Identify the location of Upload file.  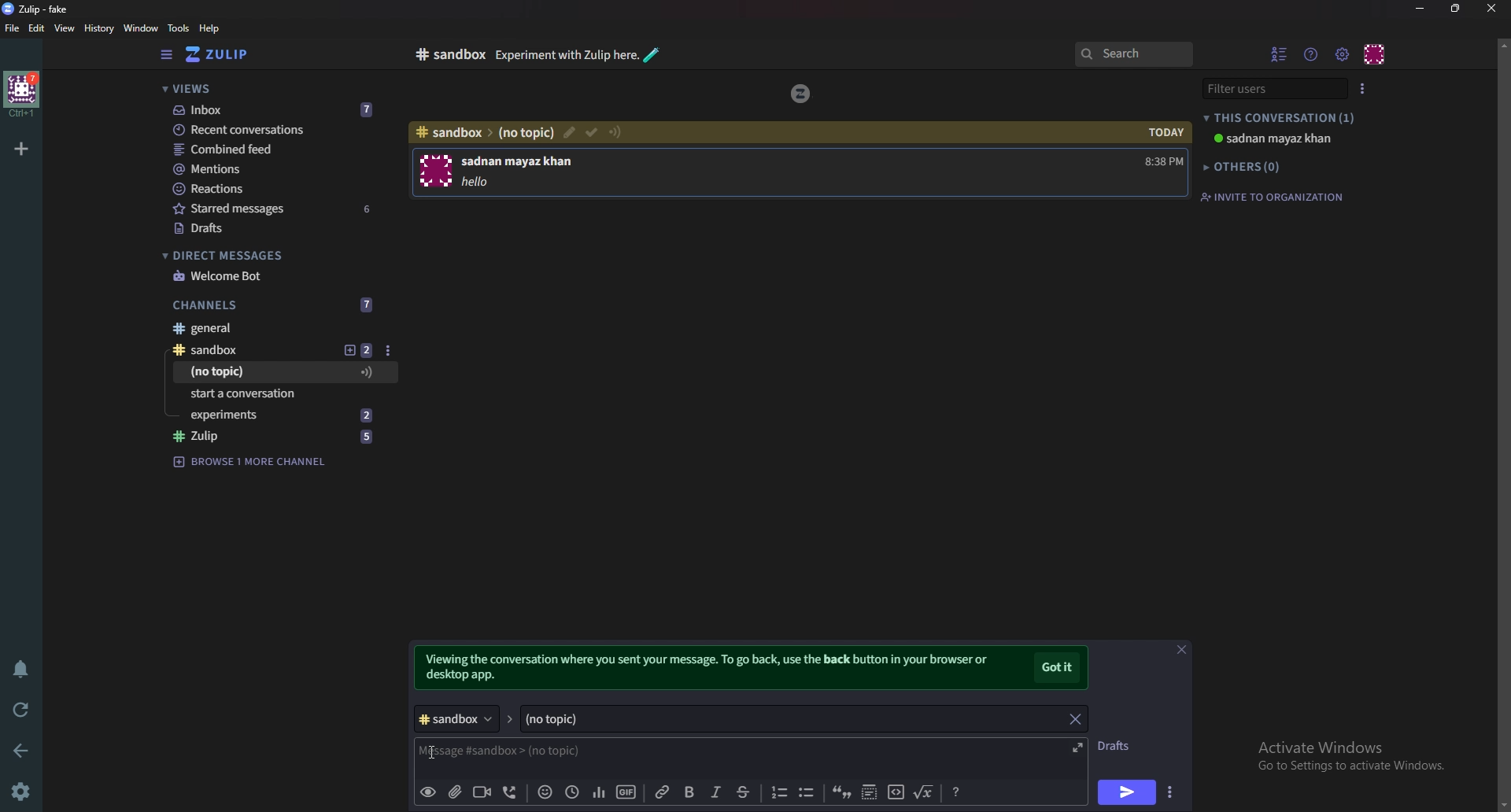
(456, 792).